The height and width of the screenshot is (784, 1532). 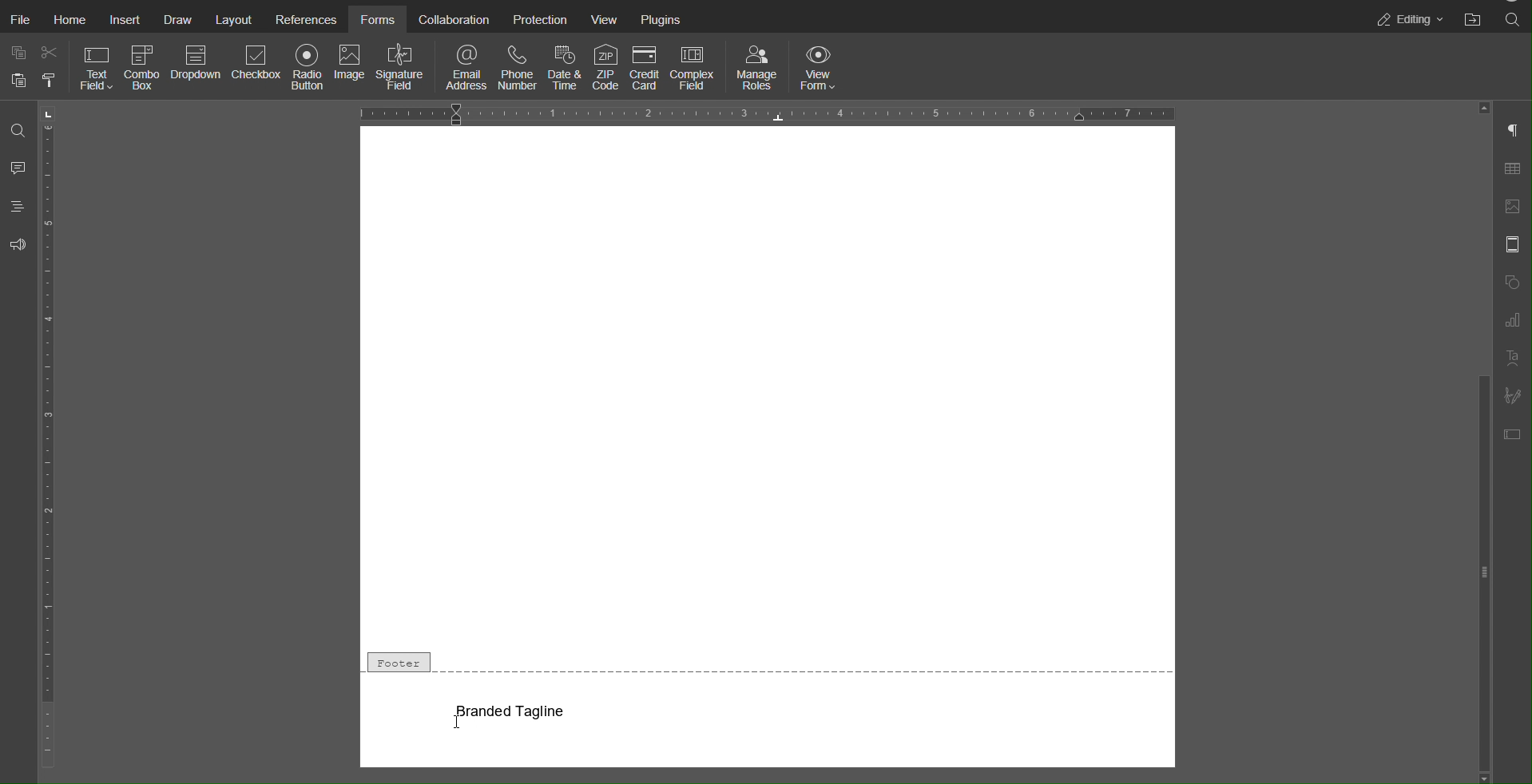 What do you see at coordinates (308, 69) in the screenshot?
I see `Radio Button` at bounding box center [308, 69].